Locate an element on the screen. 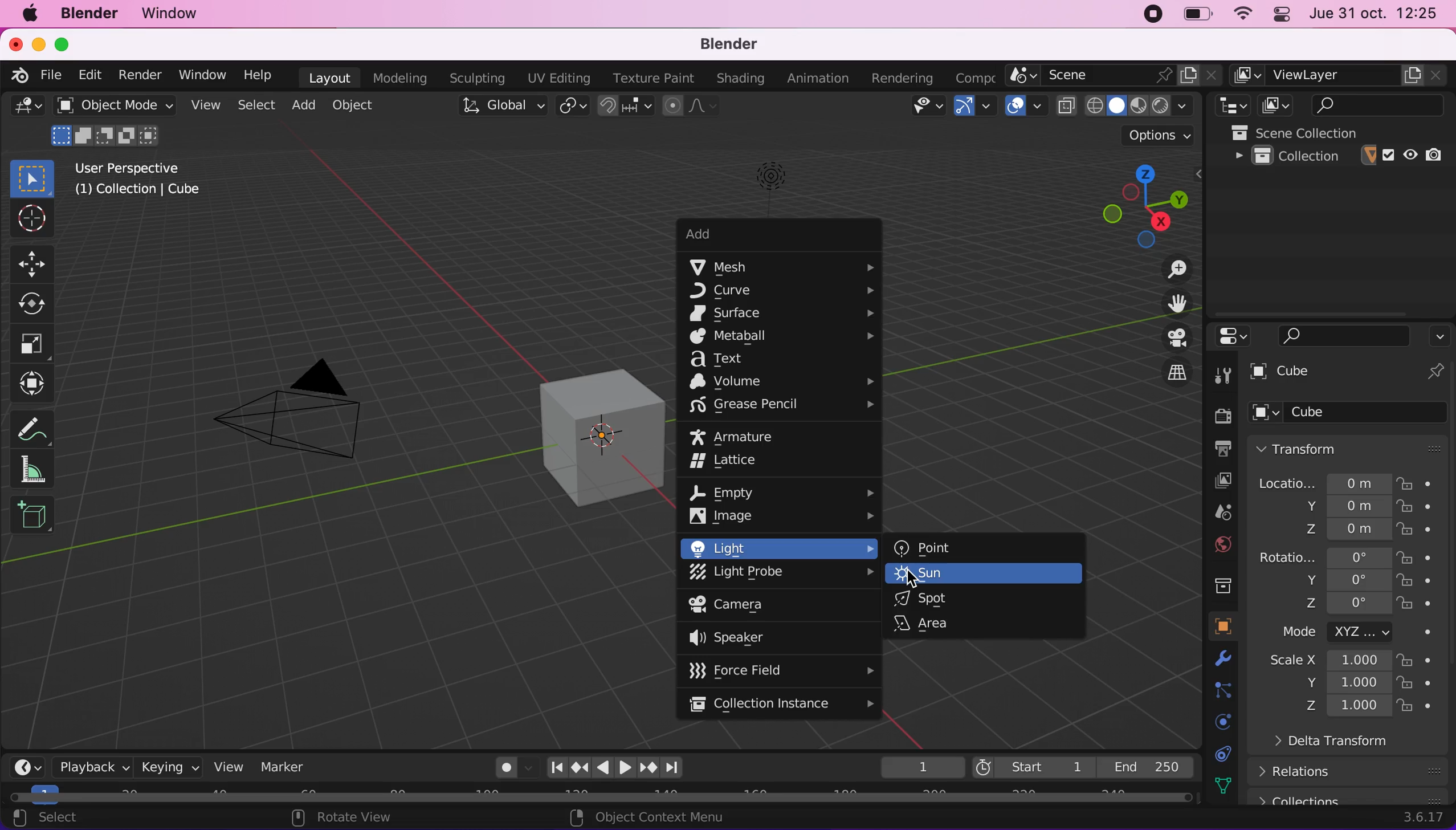 The height and width of the screenshot is (830, 1456). shading is located at coordinates (737, 79).